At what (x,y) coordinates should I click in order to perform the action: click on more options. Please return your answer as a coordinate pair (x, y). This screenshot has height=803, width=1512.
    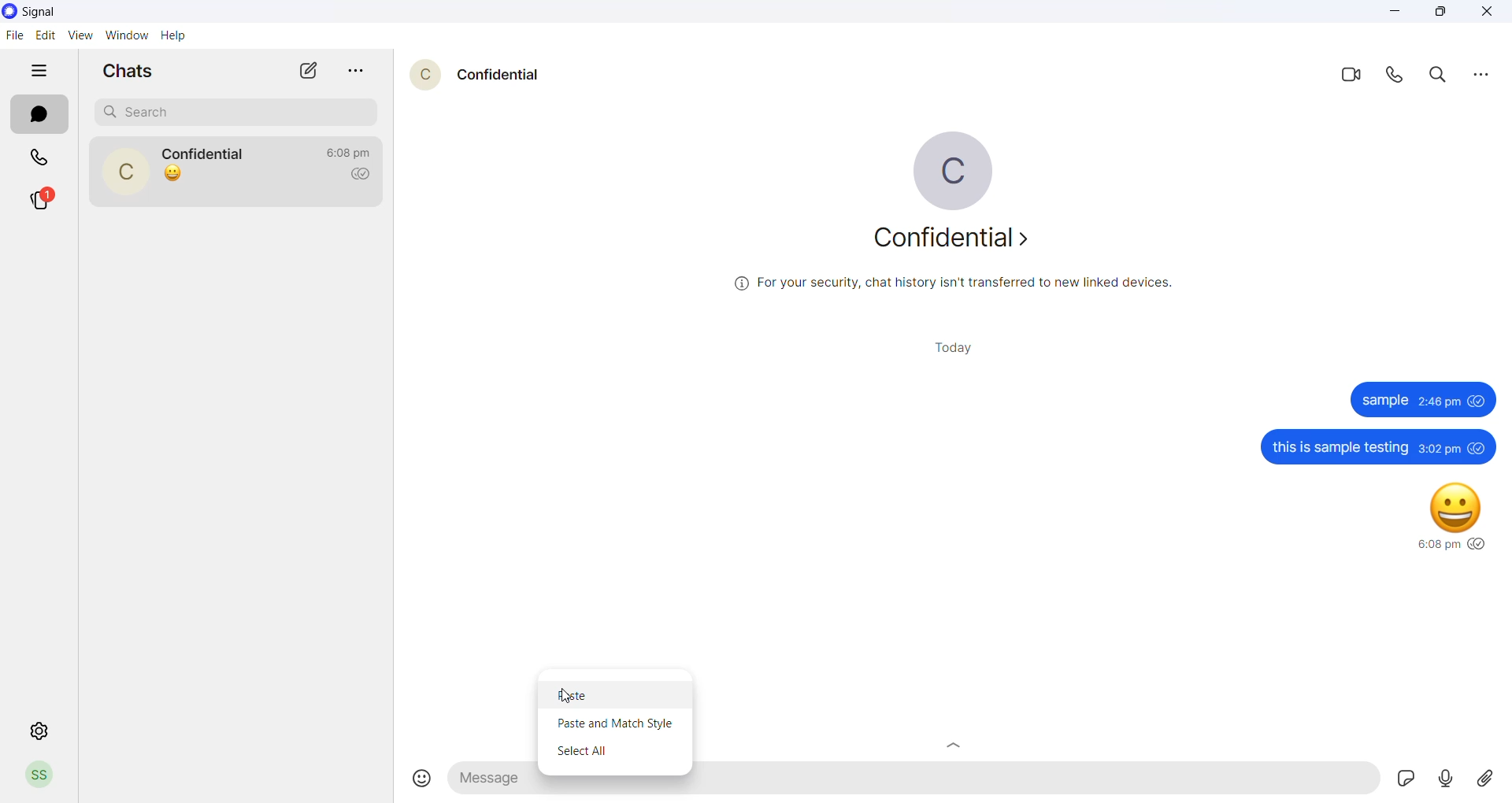
    Looking at the image, I should click on (362, 72).